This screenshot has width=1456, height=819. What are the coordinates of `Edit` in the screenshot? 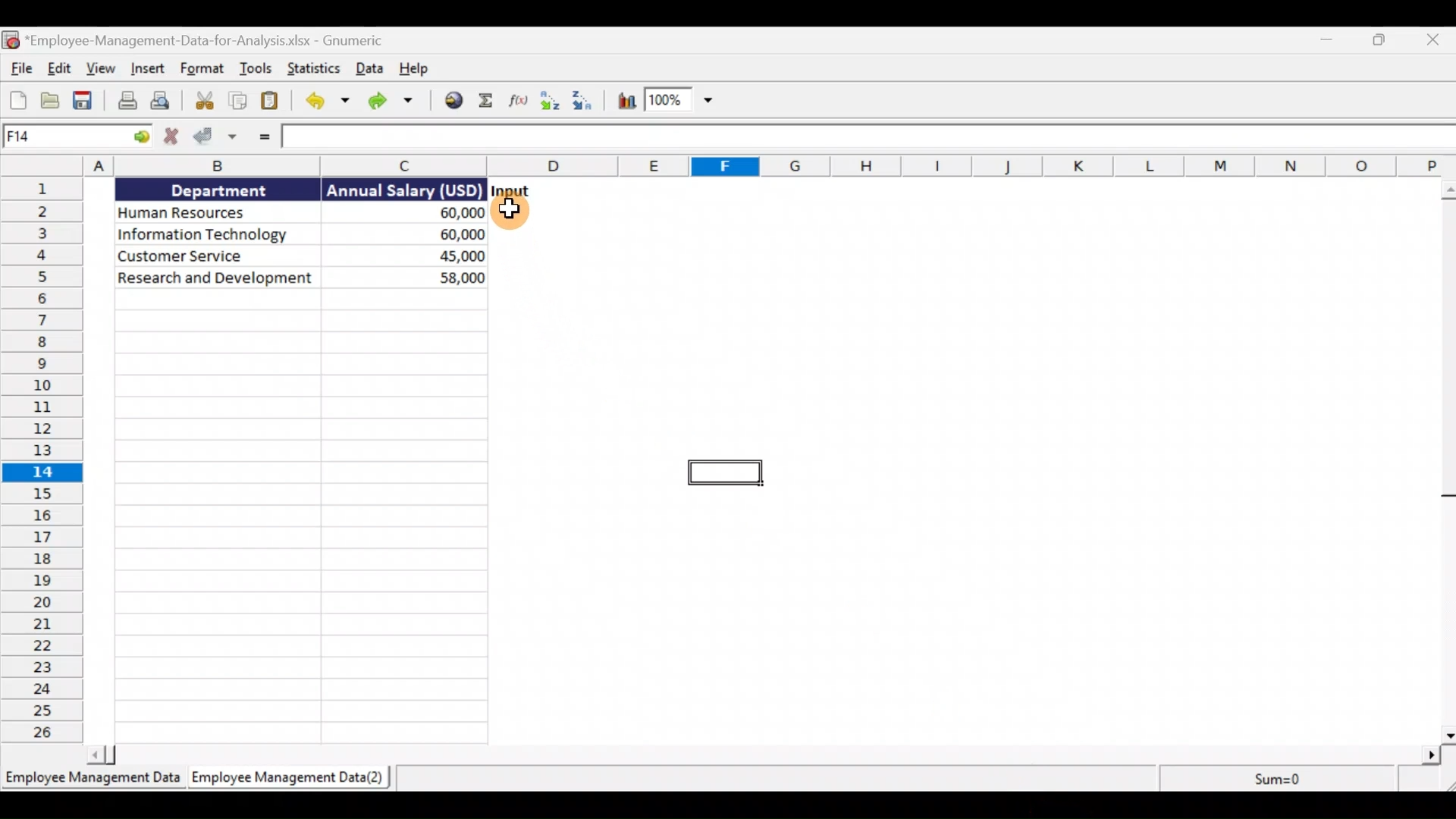 It's located at (61, 68).